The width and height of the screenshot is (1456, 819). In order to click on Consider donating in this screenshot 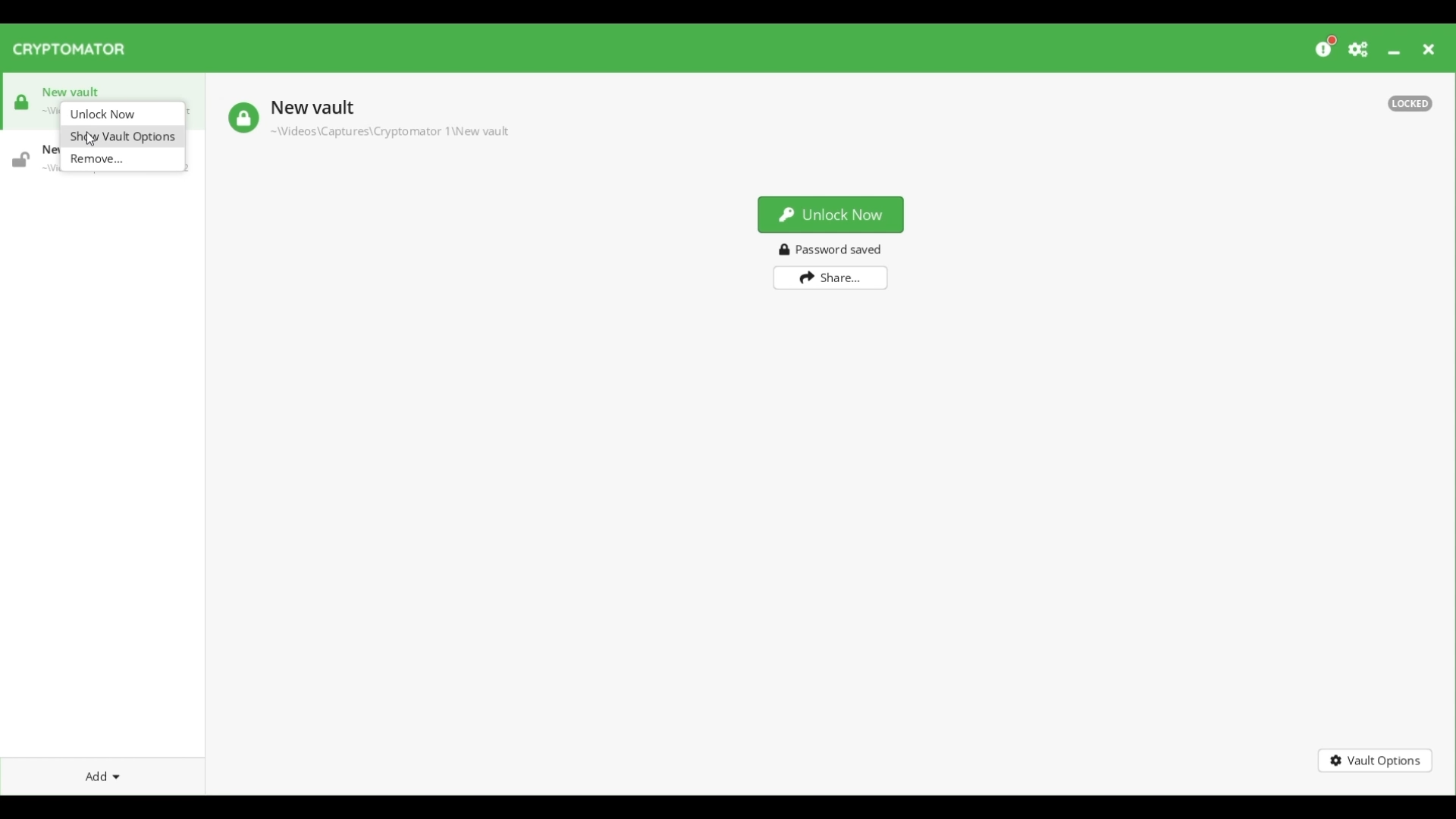, I will do `click(1327, 45)`.